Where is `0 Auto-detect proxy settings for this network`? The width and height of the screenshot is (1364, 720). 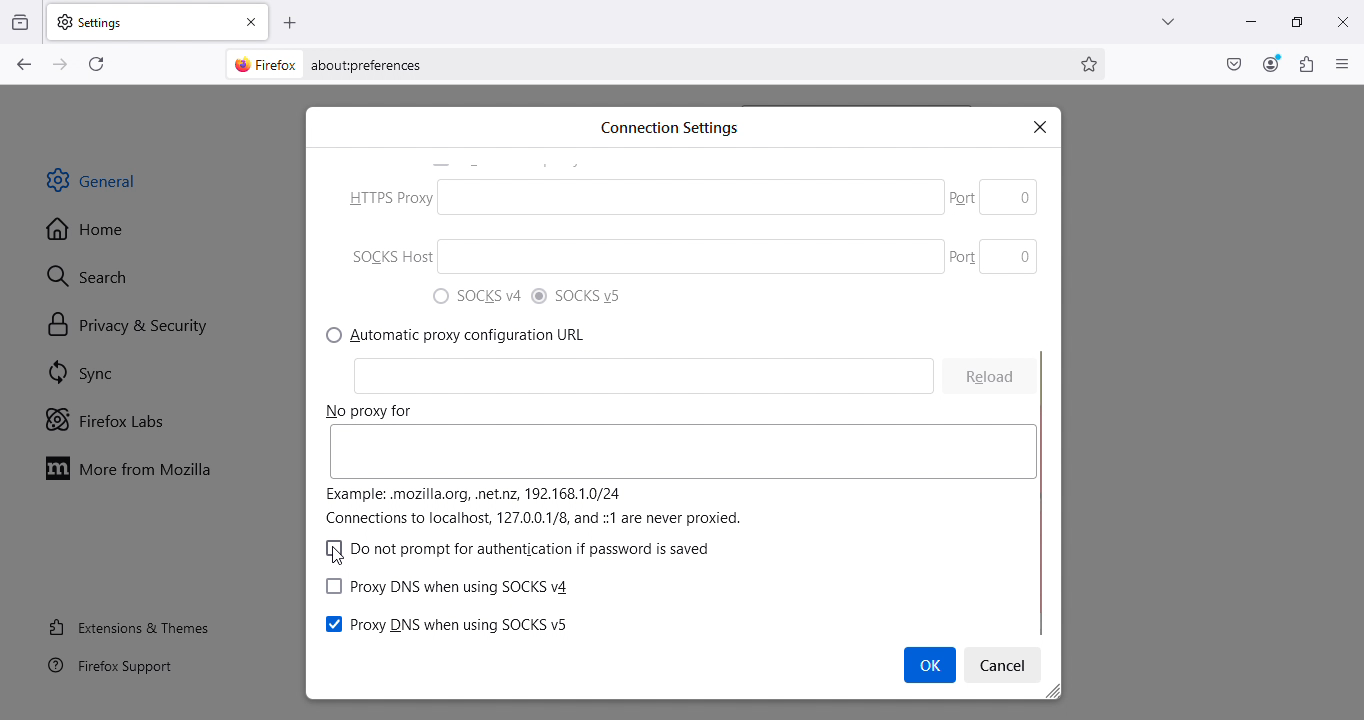 0 Auto-detect proxy settings for this network is located at coordinates (578, 297).